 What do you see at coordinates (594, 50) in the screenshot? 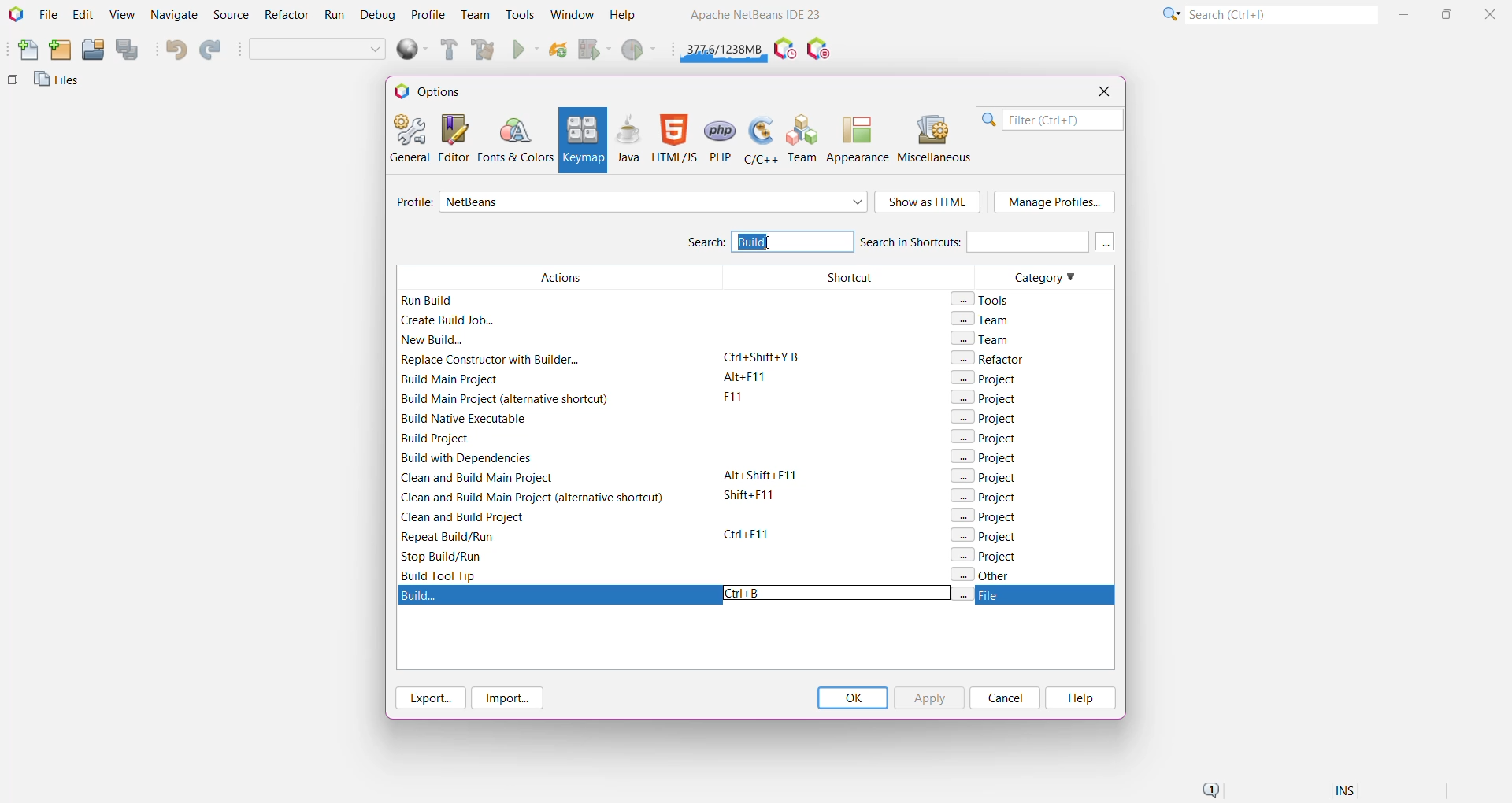
I see `Debug Main Project` at bounding box center [594, 50].